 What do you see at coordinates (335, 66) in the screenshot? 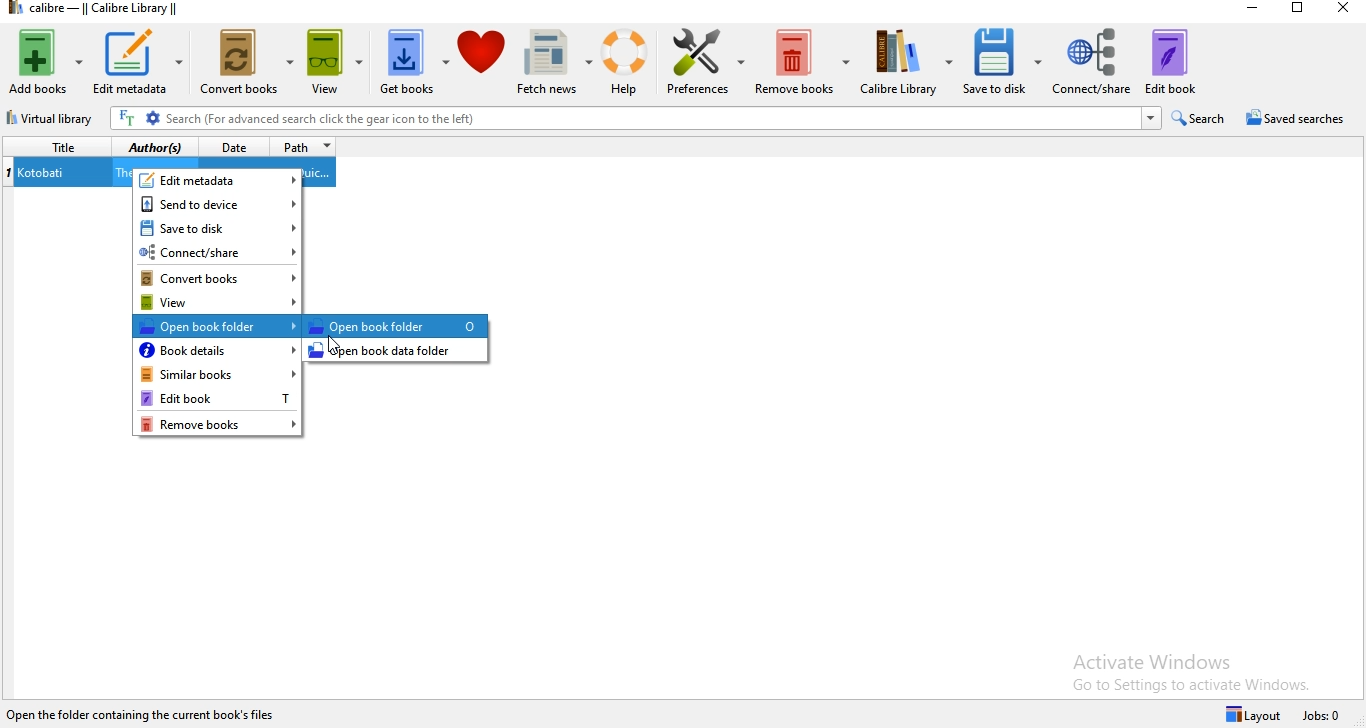
I see `view` at bounding box center [335, 66].